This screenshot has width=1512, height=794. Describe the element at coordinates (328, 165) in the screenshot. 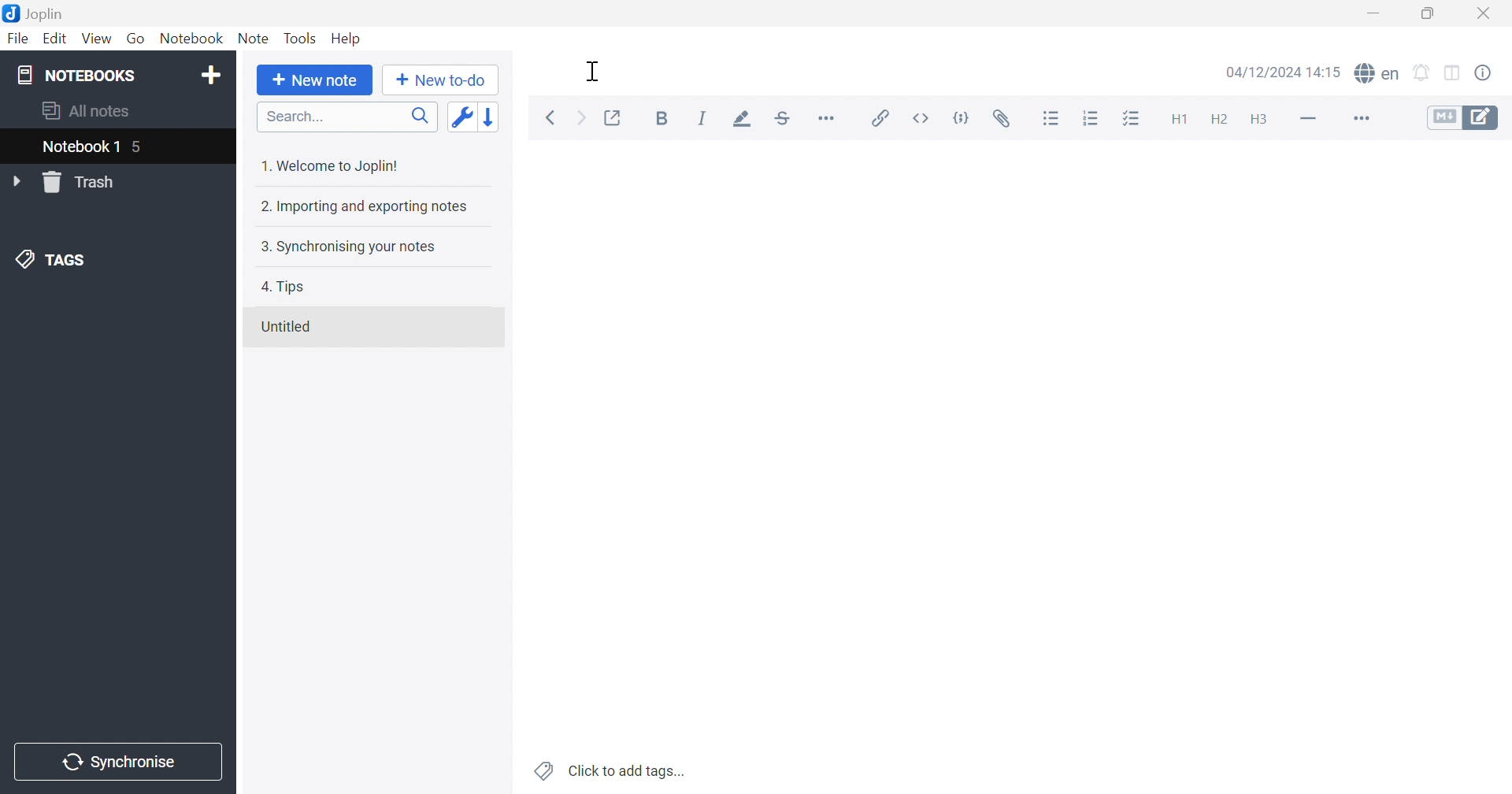

I see `1. Welcome to Joplin` at that location.